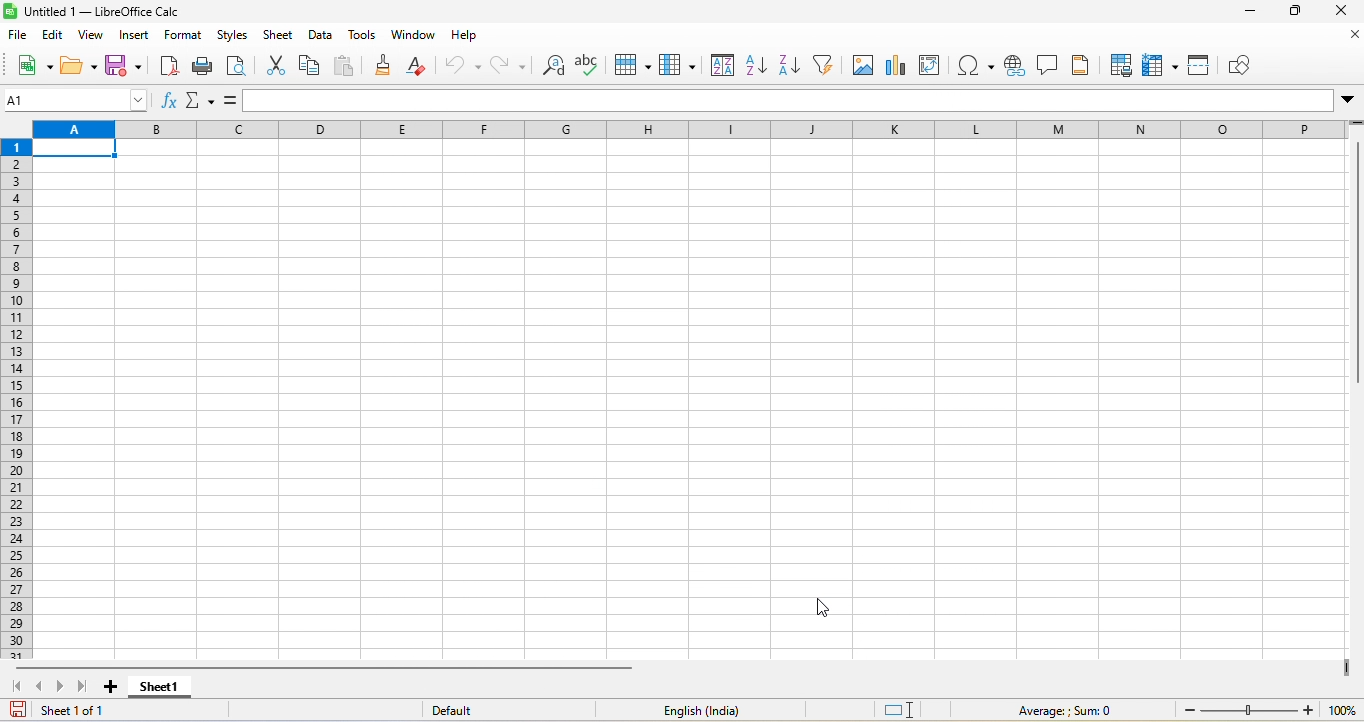  I want to click on close, so click(1344, 38).